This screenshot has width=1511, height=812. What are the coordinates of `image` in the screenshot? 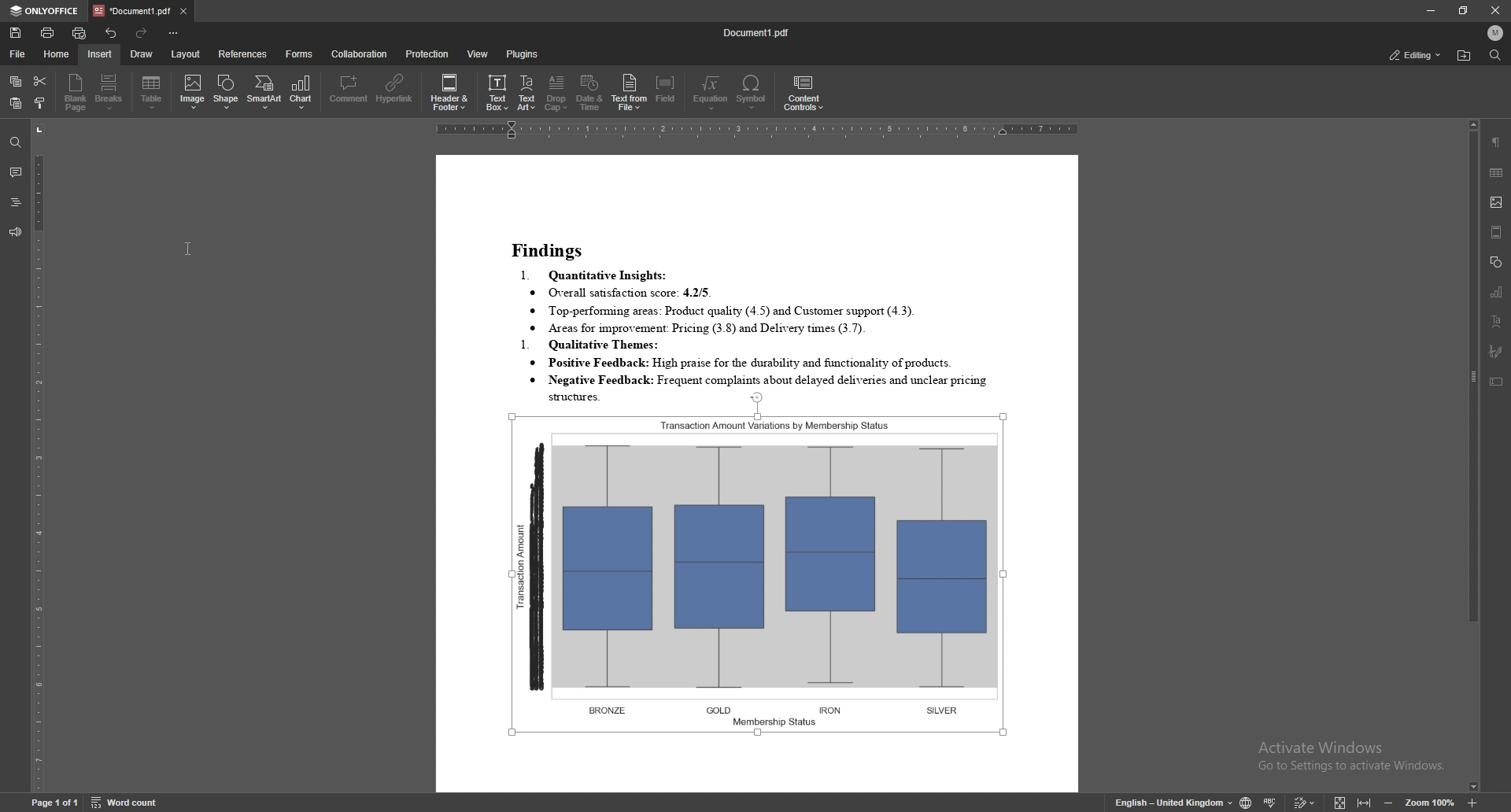 It's located at (194, 92).